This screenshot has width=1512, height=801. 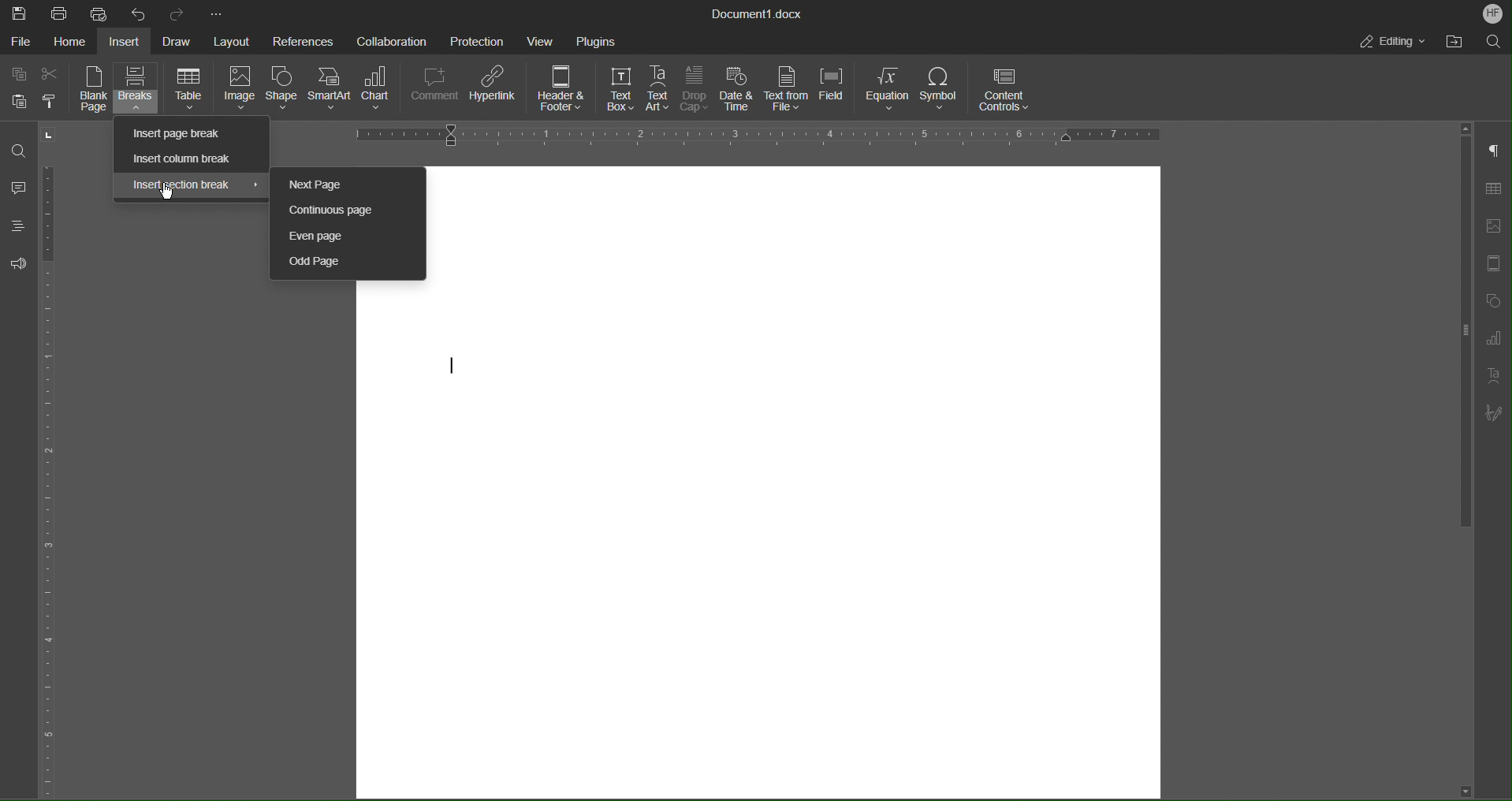 What do you see at coordinates (1493, 263) in the screenshot?
I see `Header/Footer` at bounding box center [1493, 263].